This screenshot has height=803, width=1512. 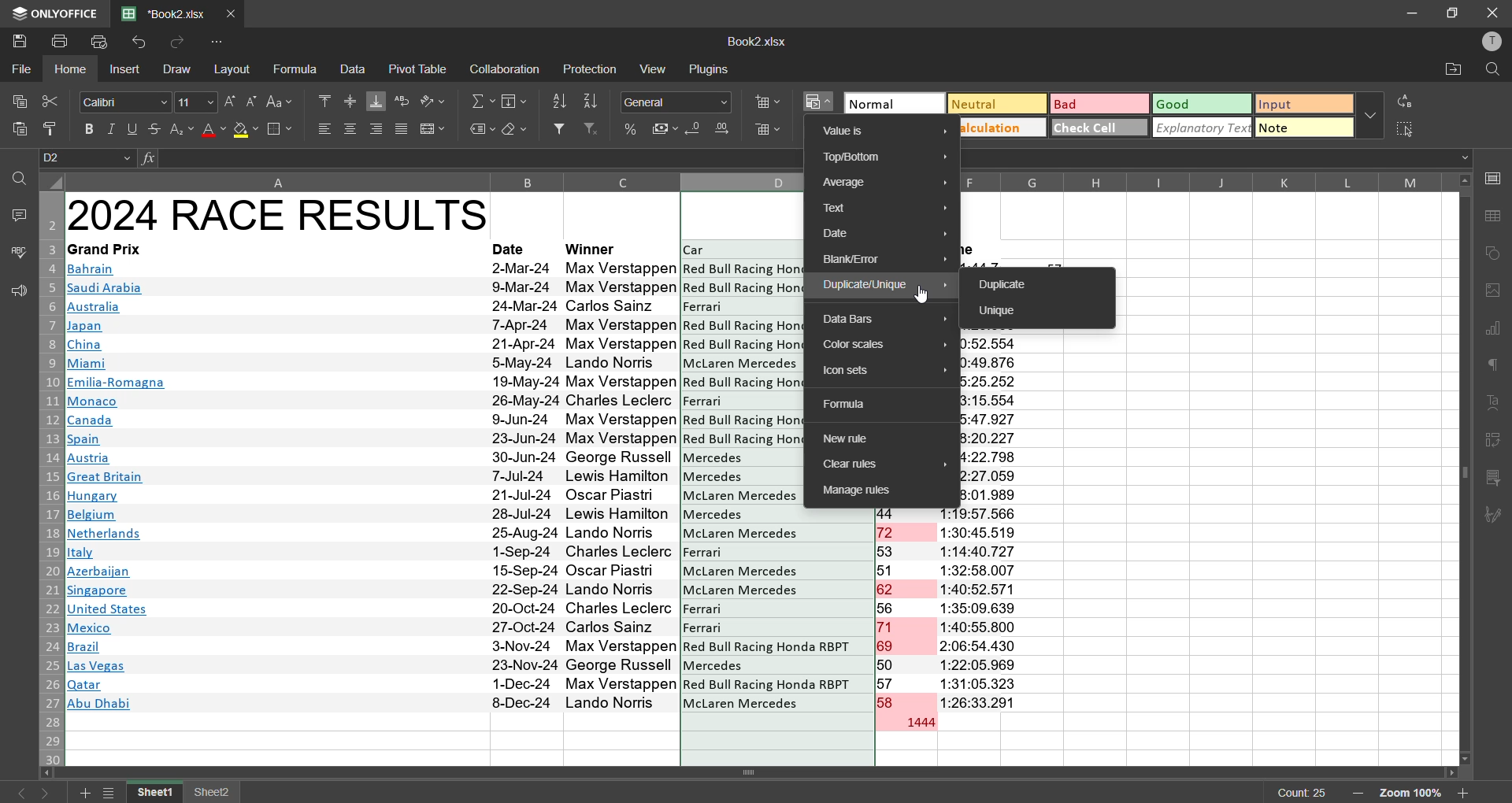 I want to click on decrement size, so click(x=250, y=101).